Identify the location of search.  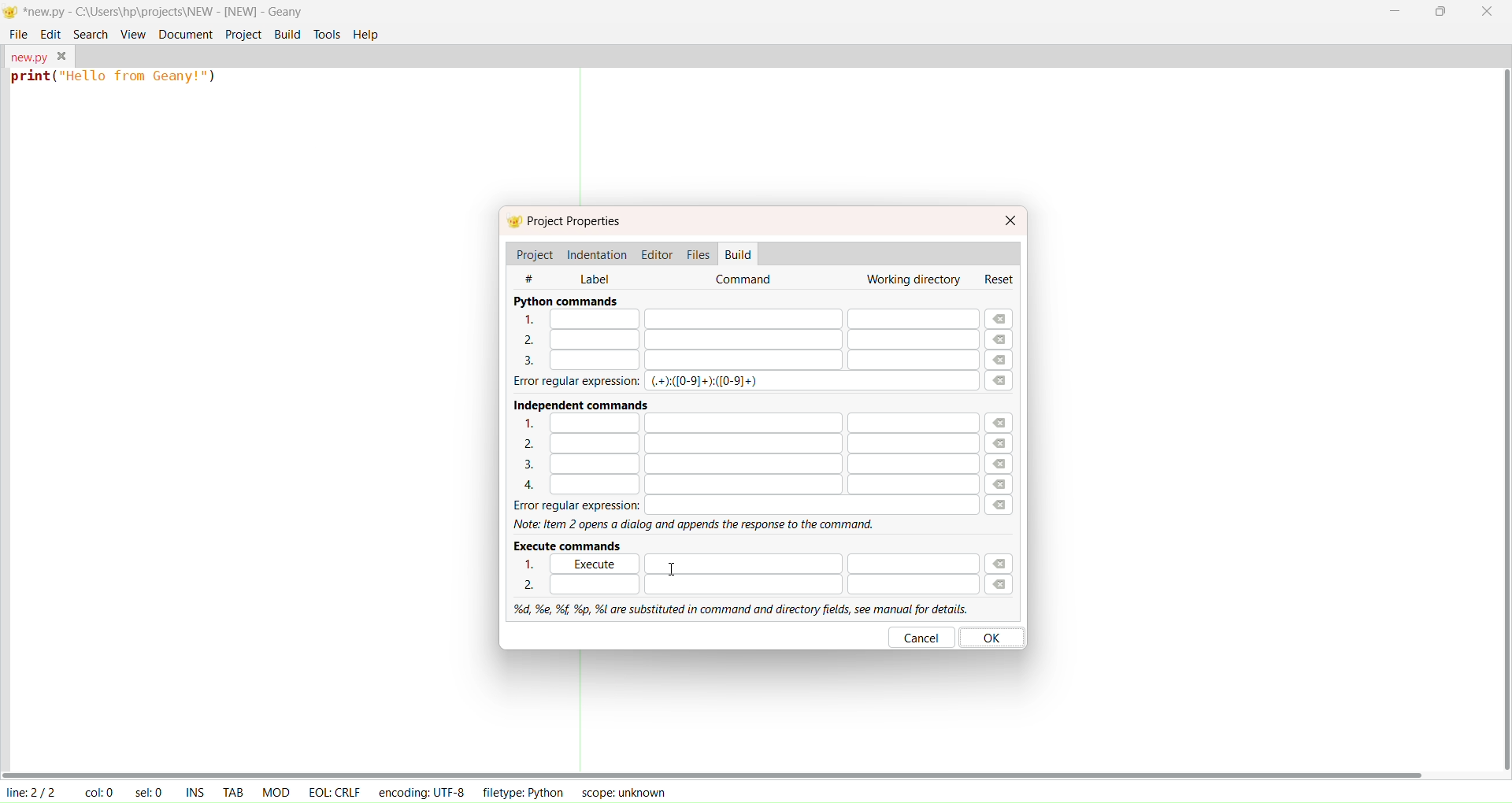
(87, 32).